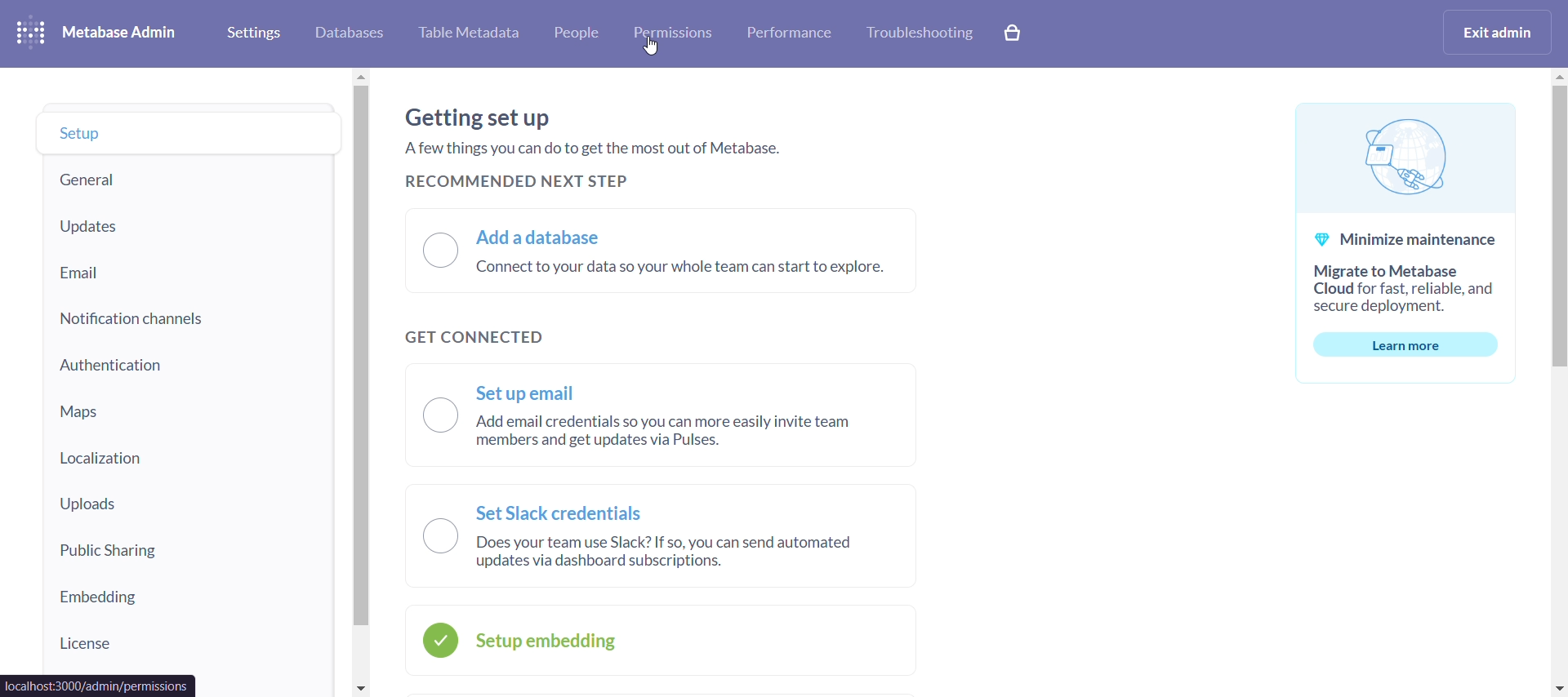  Describe the element at coordinates (185, 501) in the screenshot. I see `uploads` at that location.